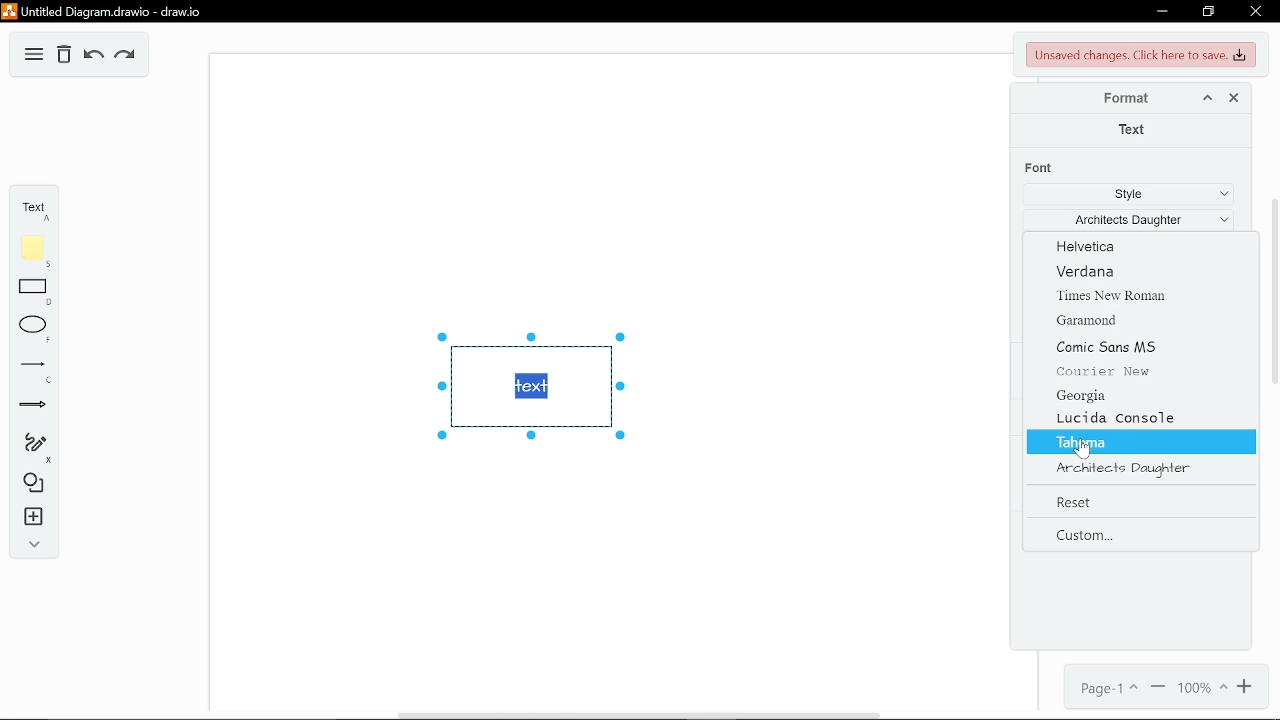 The height and width of the screenshot is (720, 1280). I want to click on courier new, so click(1136, 374).